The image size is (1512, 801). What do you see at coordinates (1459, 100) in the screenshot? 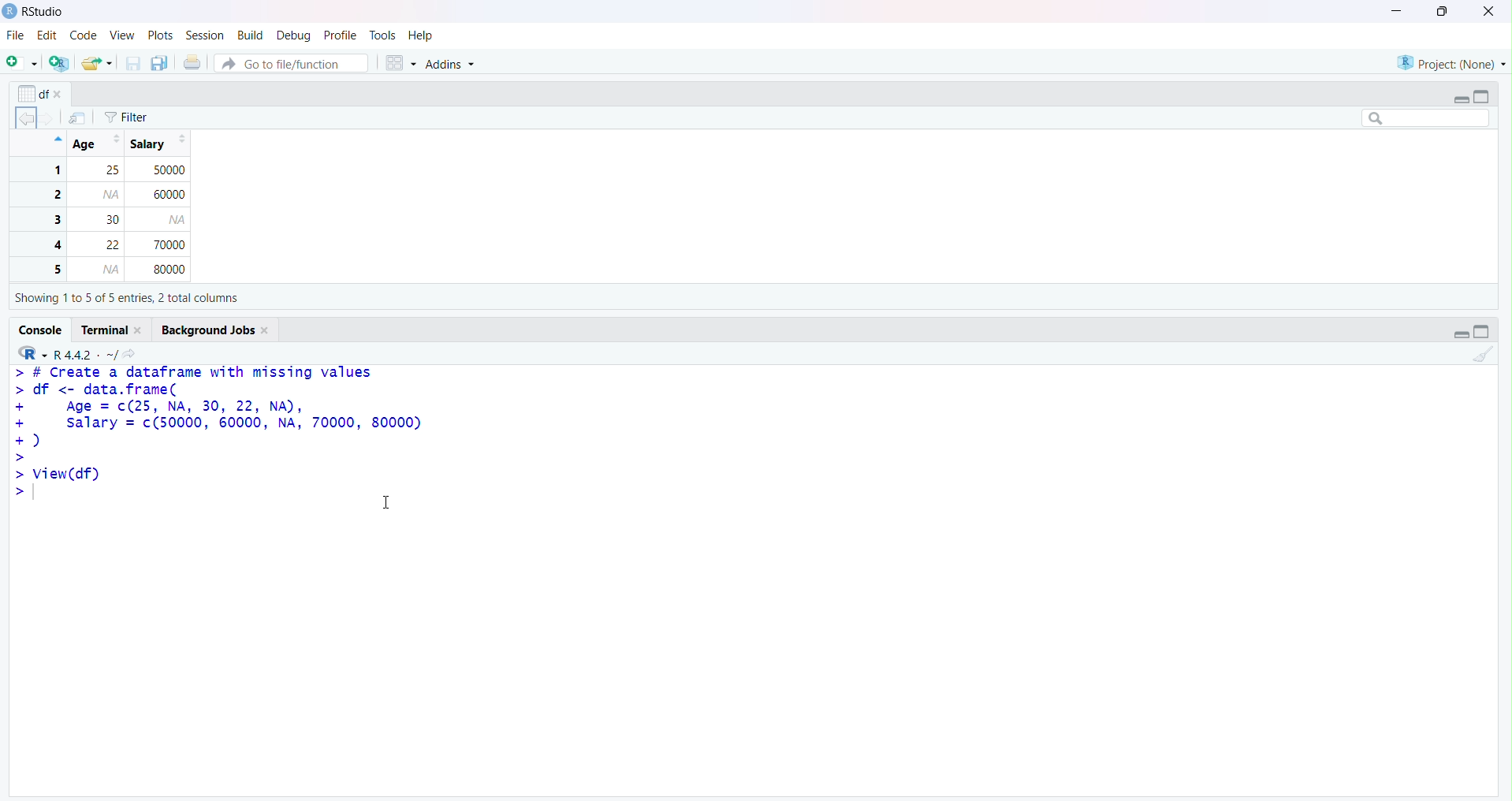
I see `Minimize` at bounding box center [1459, 100].